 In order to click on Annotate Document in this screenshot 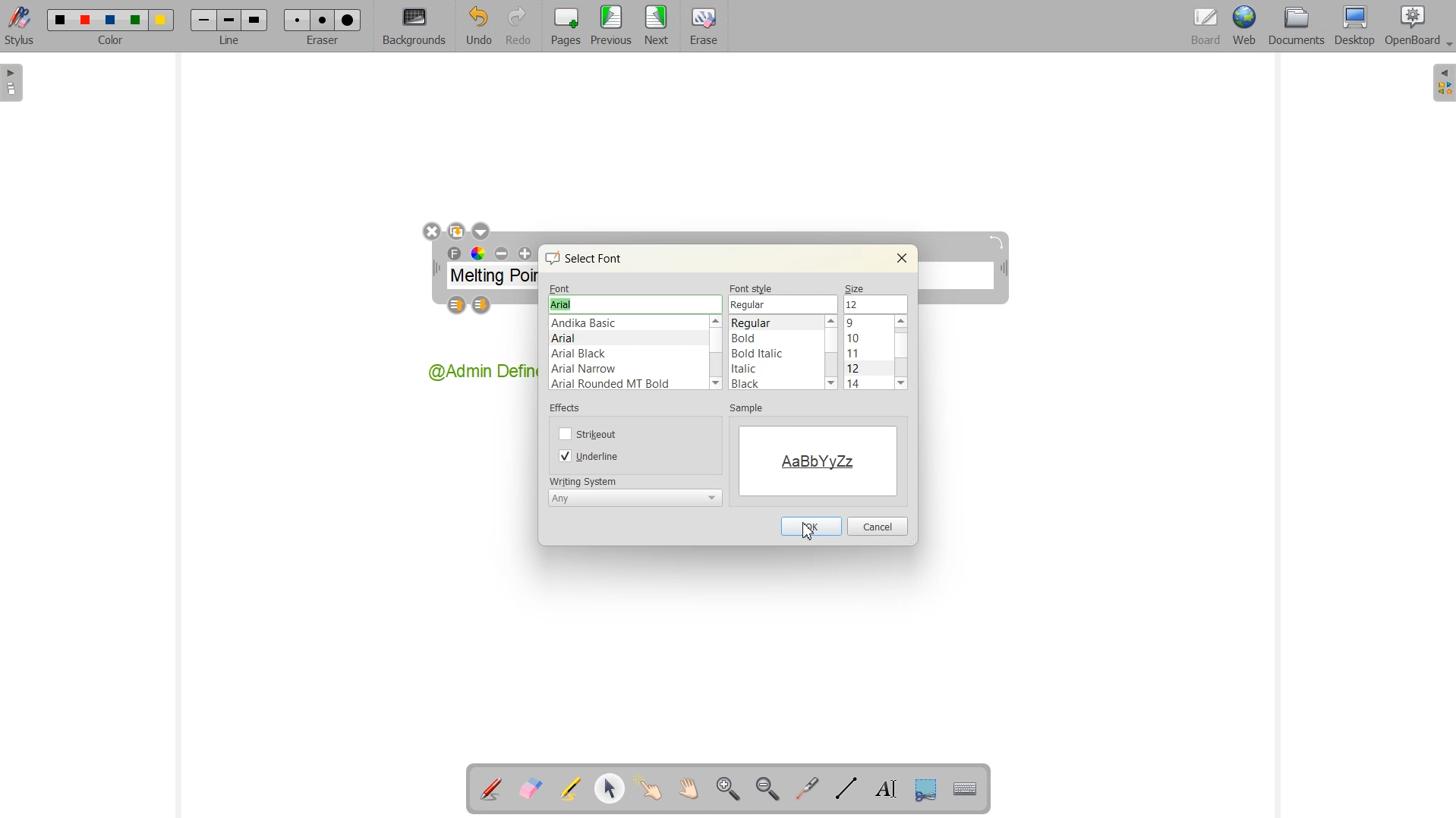, I will do `click(490, 789)`.